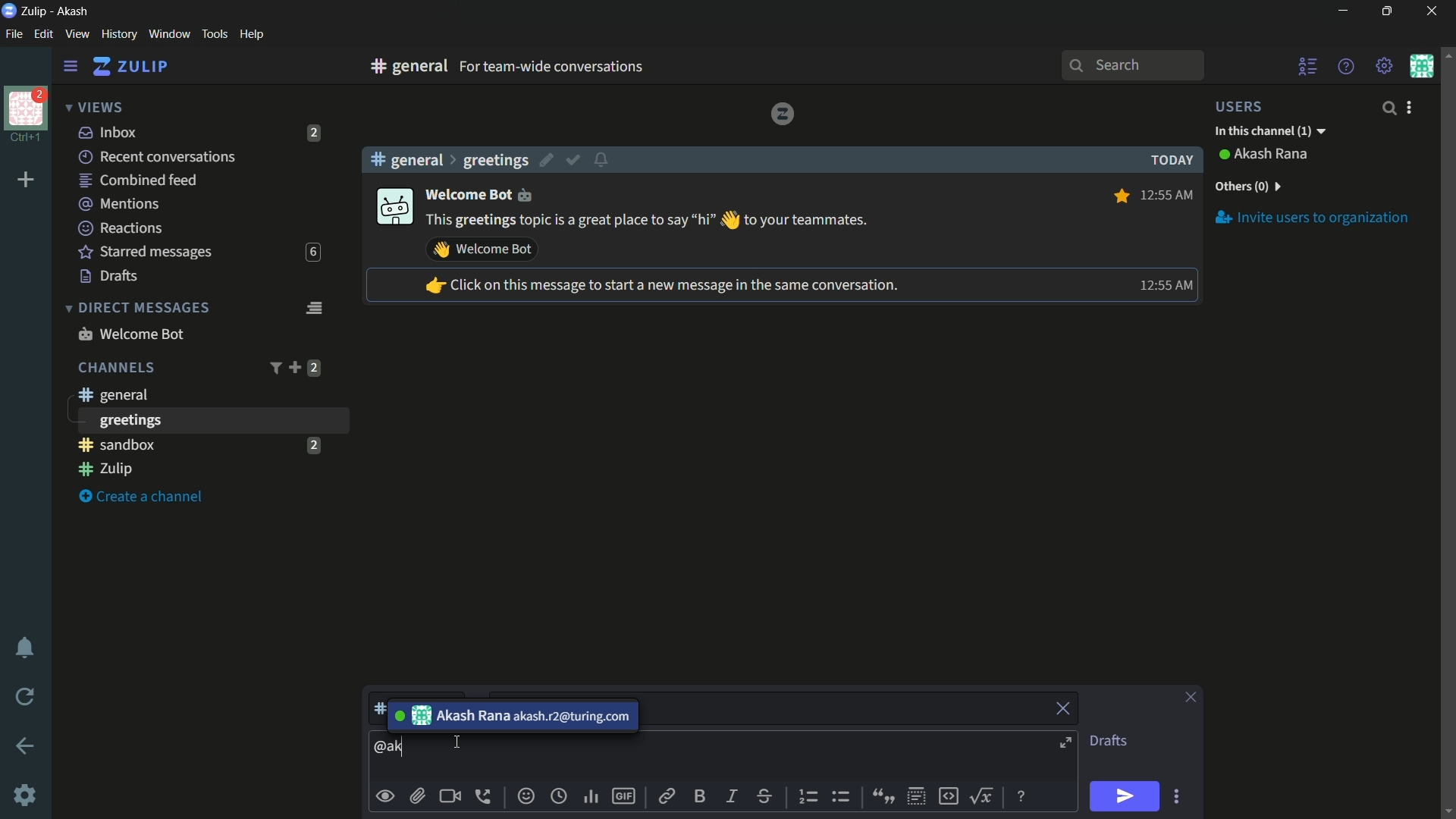 The image size is (1456, 819). What do you see at coordinates (665, 799) in the screenshot?
I see `link` at bounding box center [665, 799].